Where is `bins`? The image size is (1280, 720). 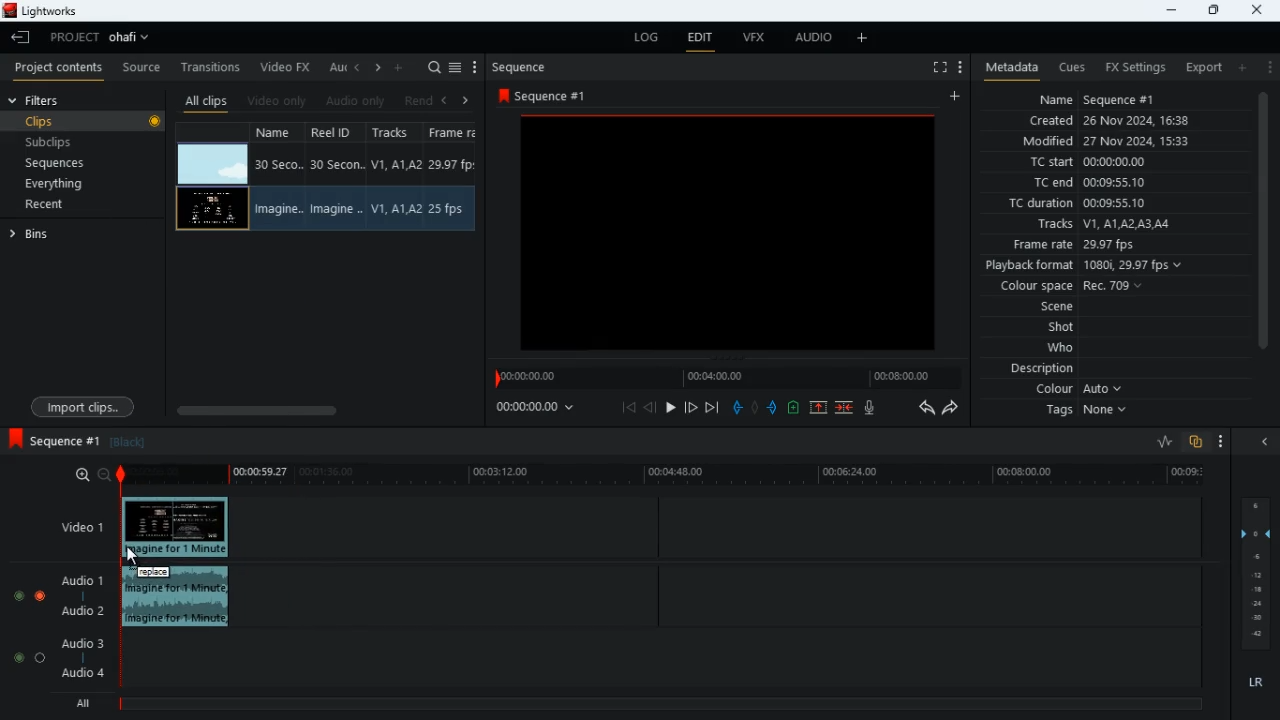
bins is located at coordinates (39, 238).